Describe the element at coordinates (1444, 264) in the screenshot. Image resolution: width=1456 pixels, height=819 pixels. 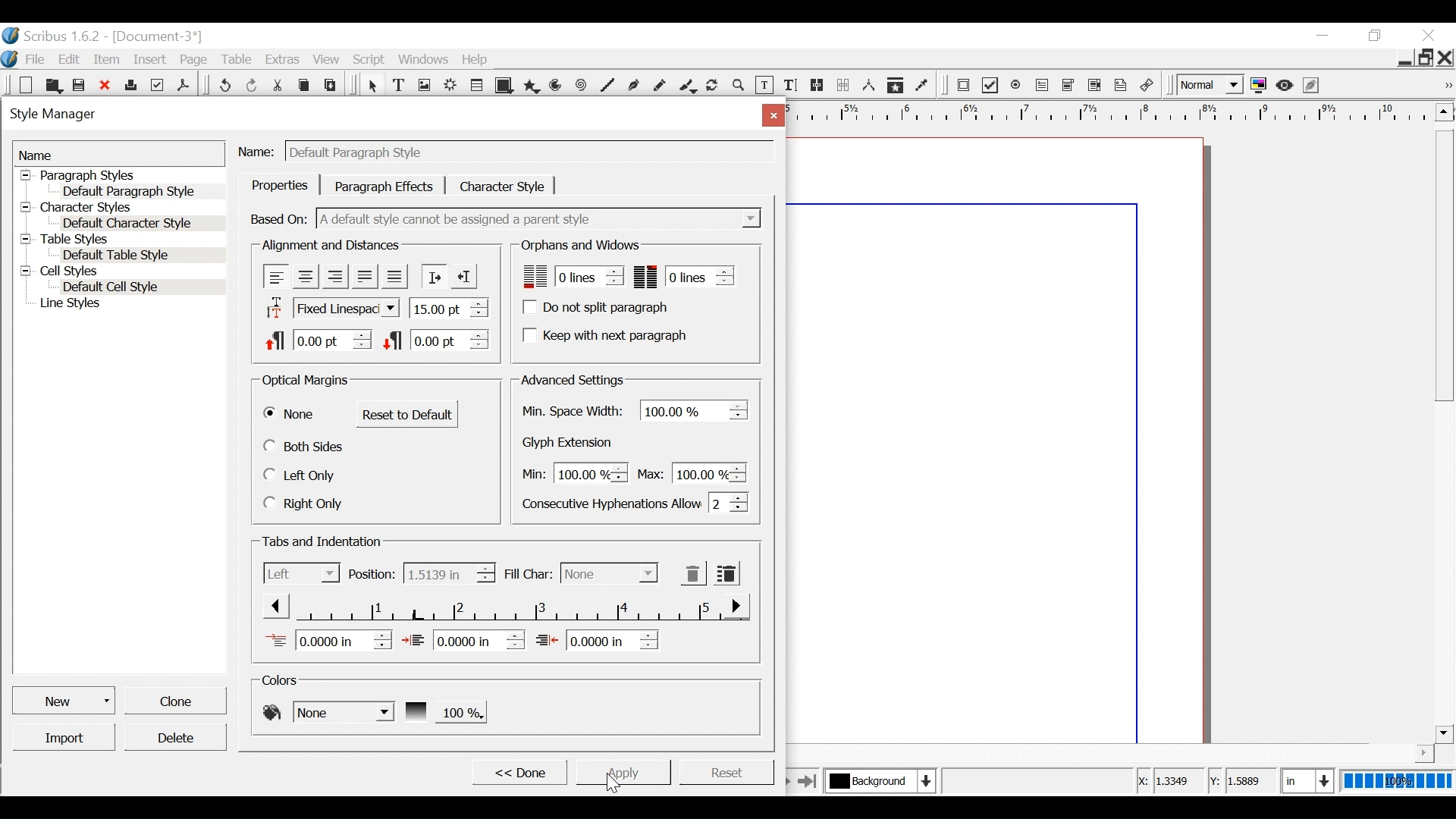
I see `Vertical Scroll bar` at that location.